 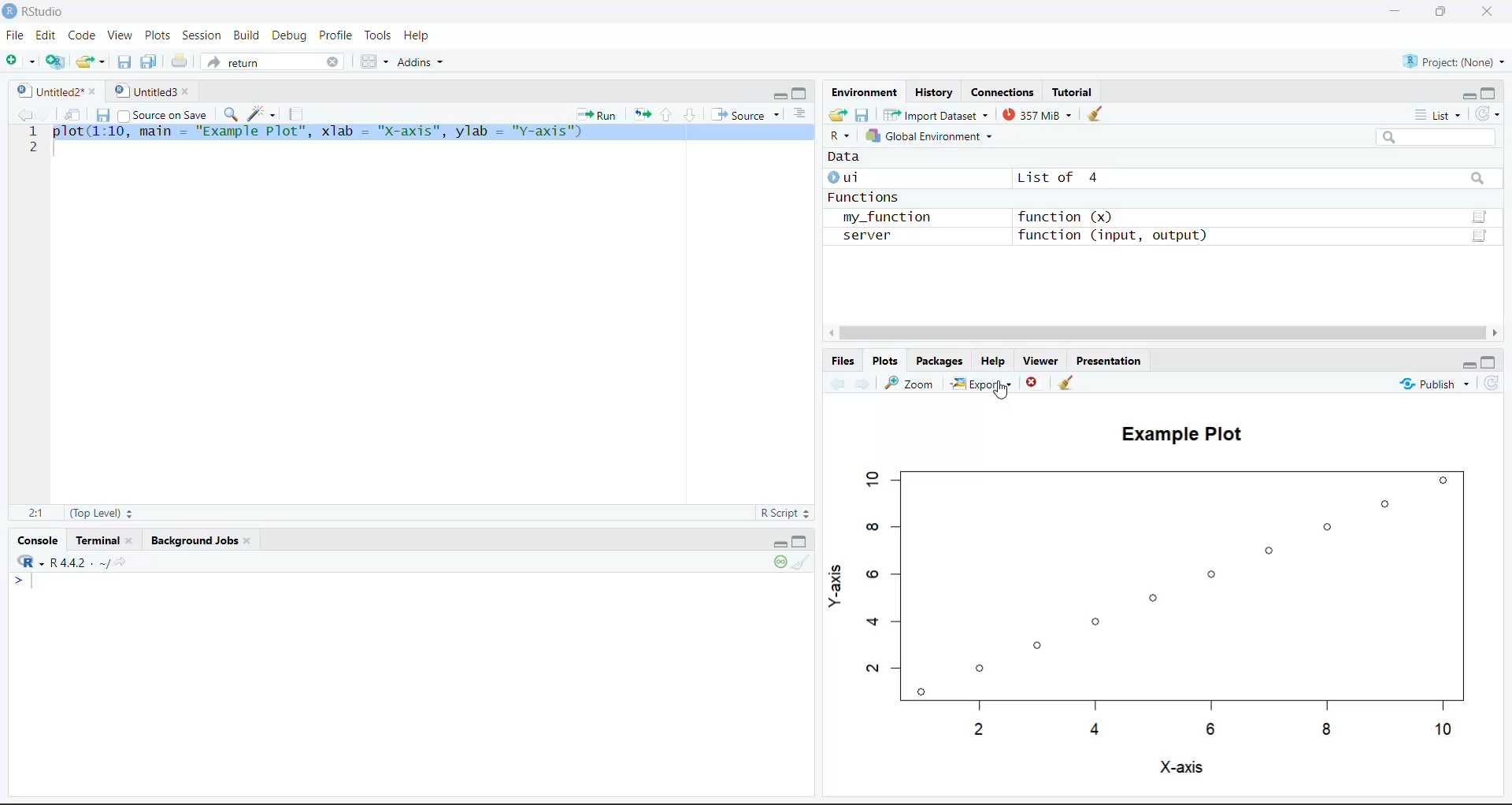 What do you see at coordinates (299, 113) in the screenshot?
I see `Compile Report (Ctrl + Shift + K)` at bounding box center [299, 113].